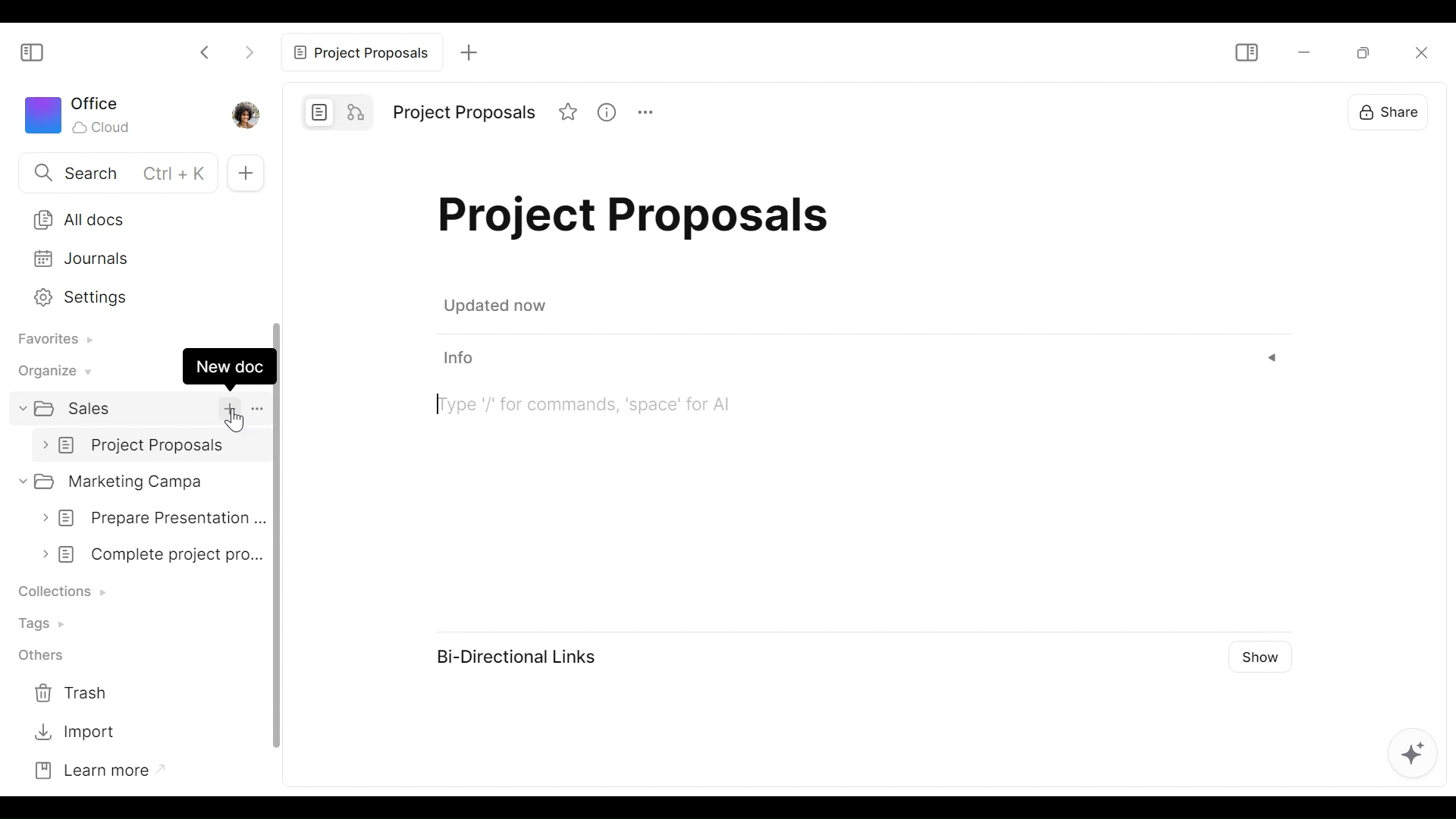 The height and width of the screenshot is (819, 1456). What do you see at coordinates (356, 55) in the screenshot?
I see `project proposals` at bounding box center [356, 55].